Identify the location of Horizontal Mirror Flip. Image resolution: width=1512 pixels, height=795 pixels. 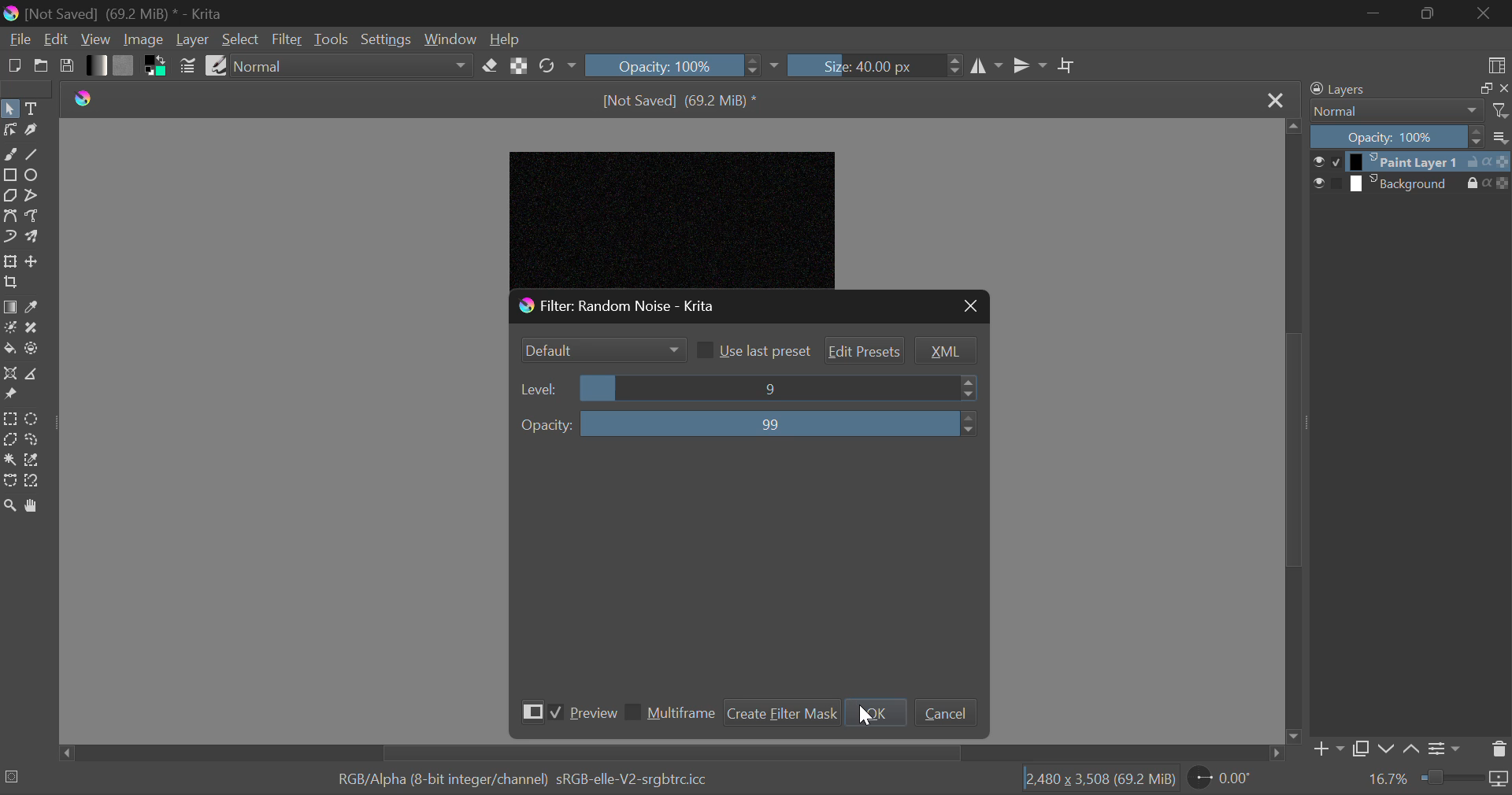
(1031, 65).